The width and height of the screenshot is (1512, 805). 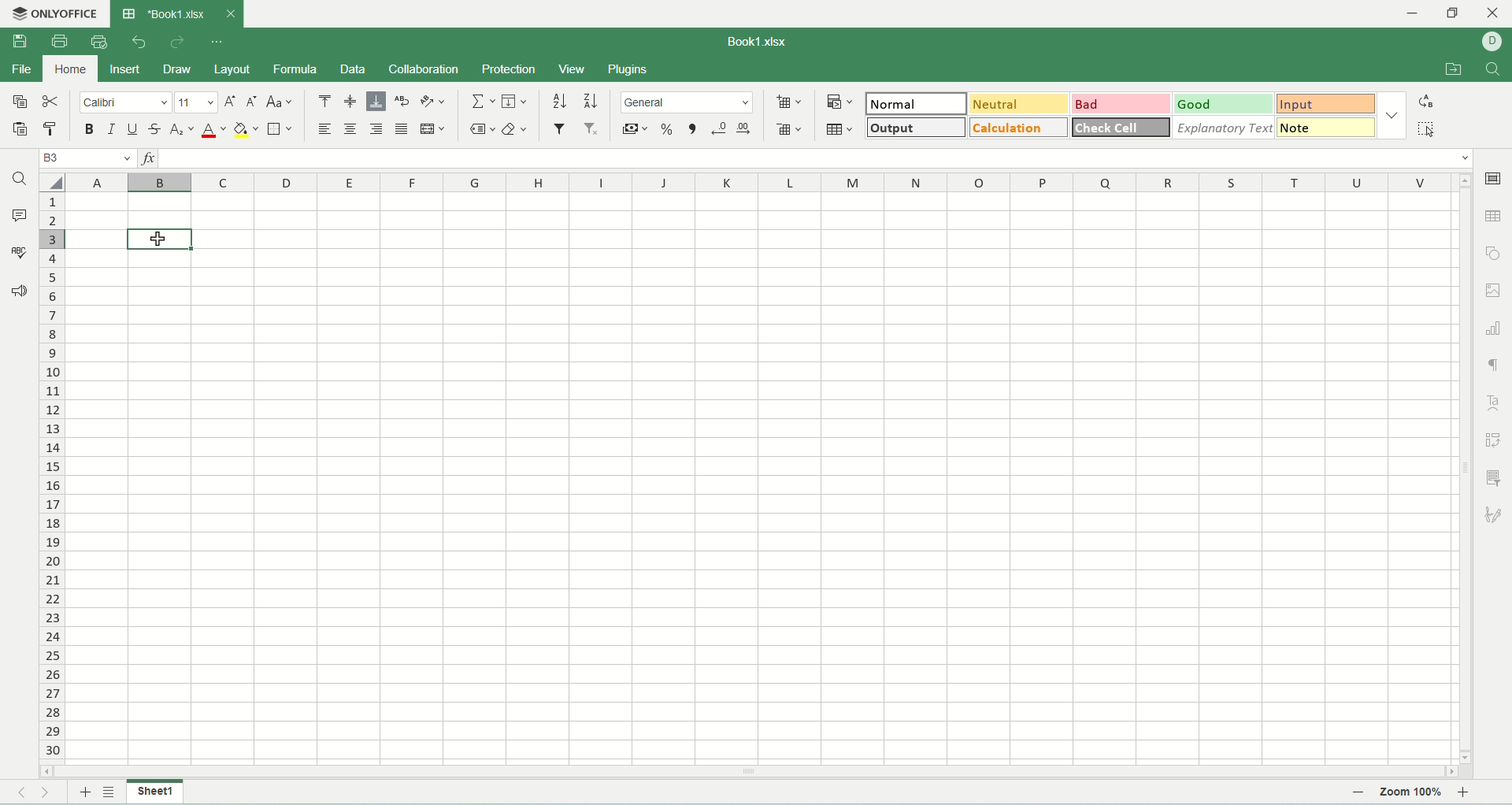 I want to click on justified, so click(x=402, y=129).